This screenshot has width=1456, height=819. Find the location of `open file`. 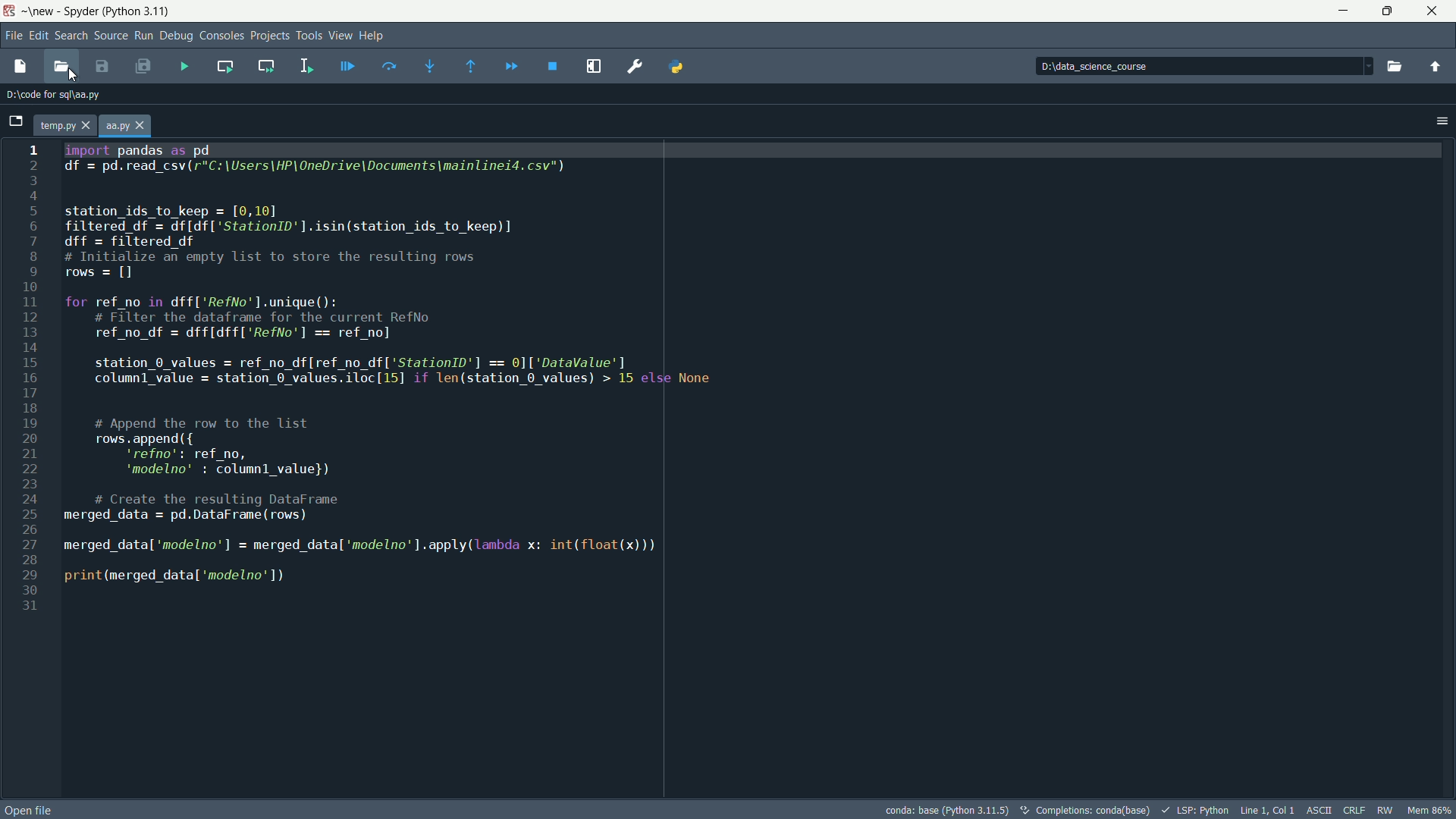

open file is located at coordinates (61, 68).